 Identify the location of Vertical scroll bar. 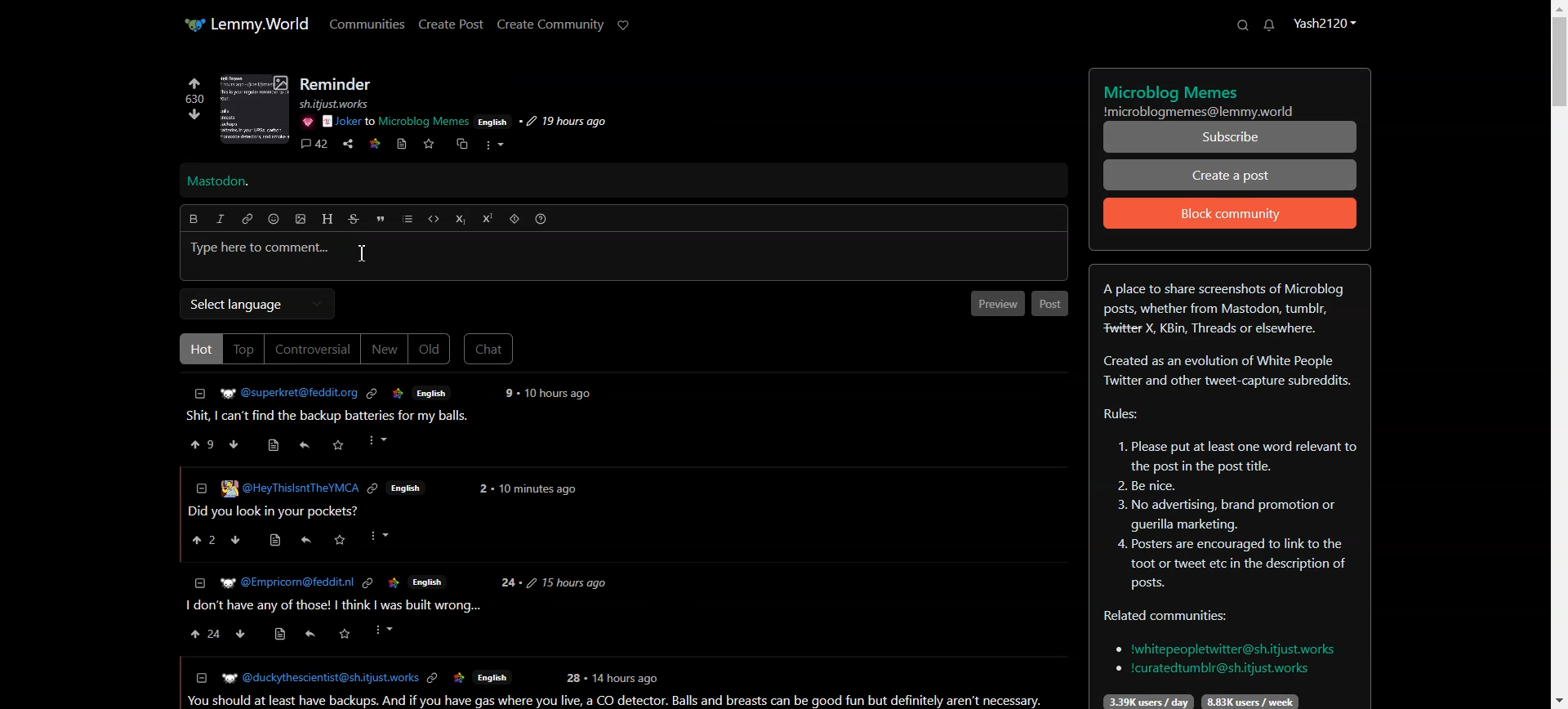
(1558, 354).